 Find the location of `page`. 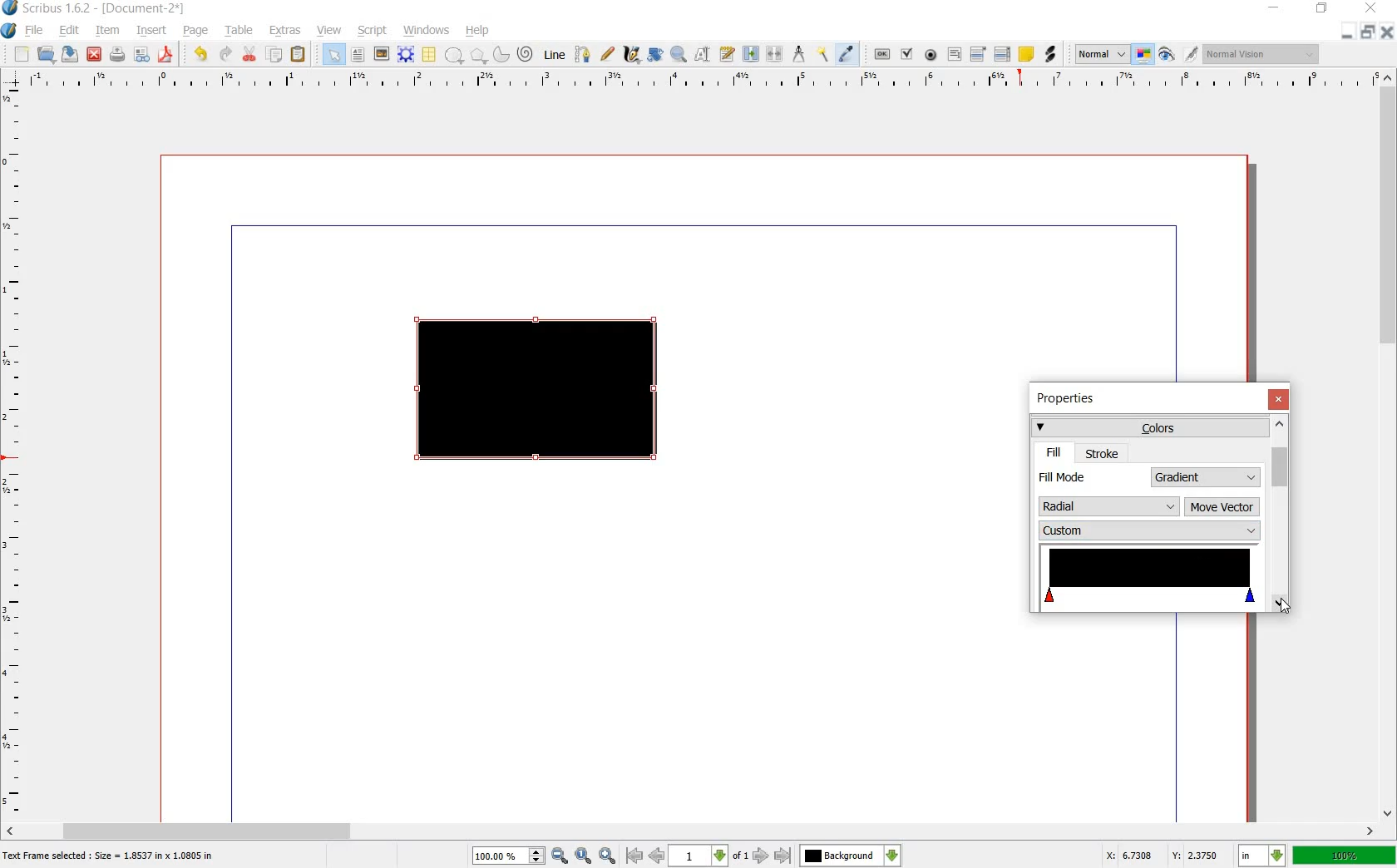

page is located at coordinates (196, 32).